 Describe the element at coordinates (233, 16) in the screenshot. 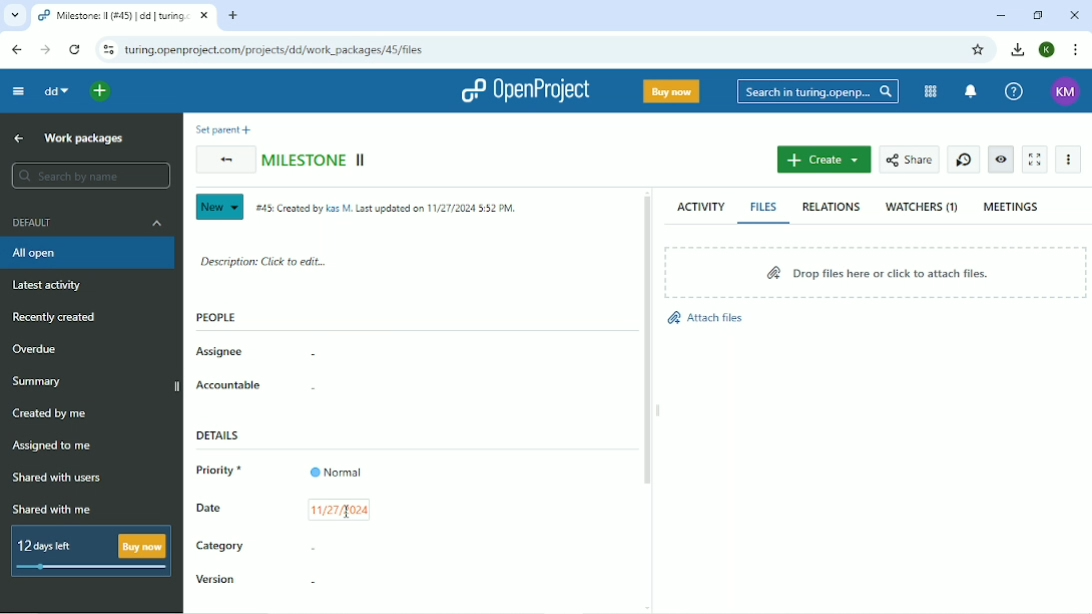

I see `New tab` at that location.